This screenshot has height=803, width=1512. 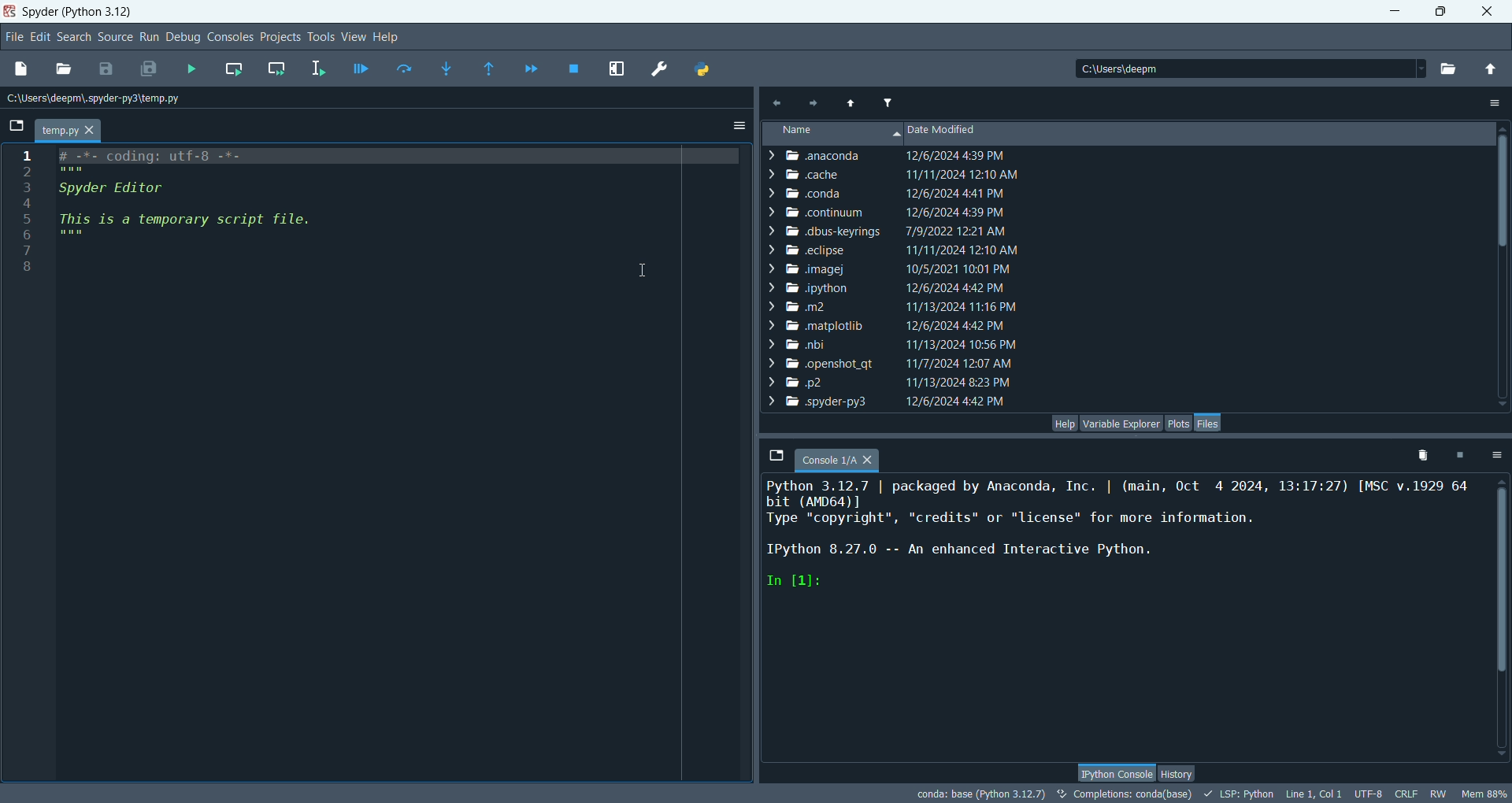 What do you see at coordinates (10, 12) in the screenshot?
I see `logo` at bounding box center [10, 12].